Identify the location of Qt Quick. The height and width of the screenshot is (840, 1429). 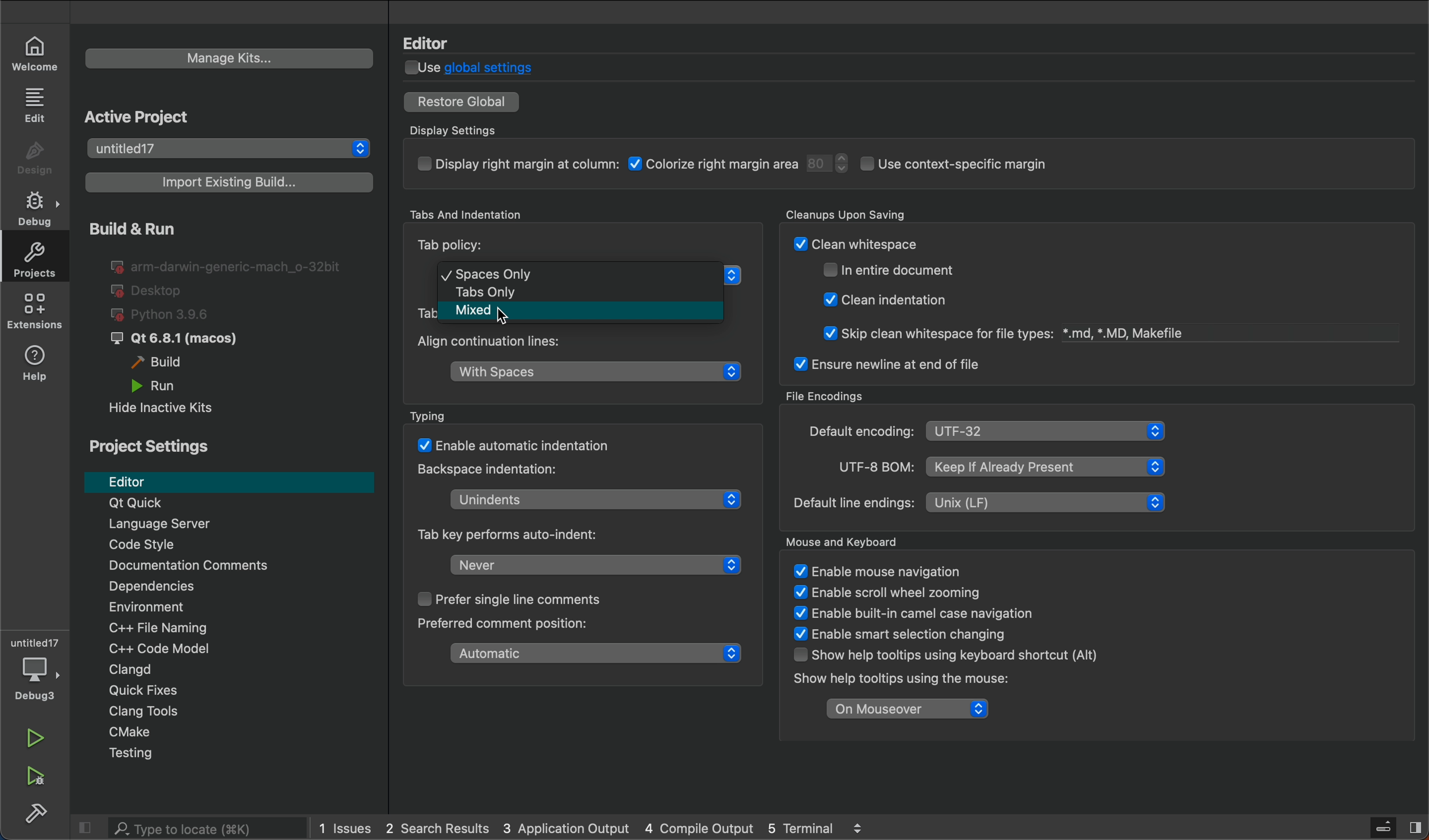
(230, 504).